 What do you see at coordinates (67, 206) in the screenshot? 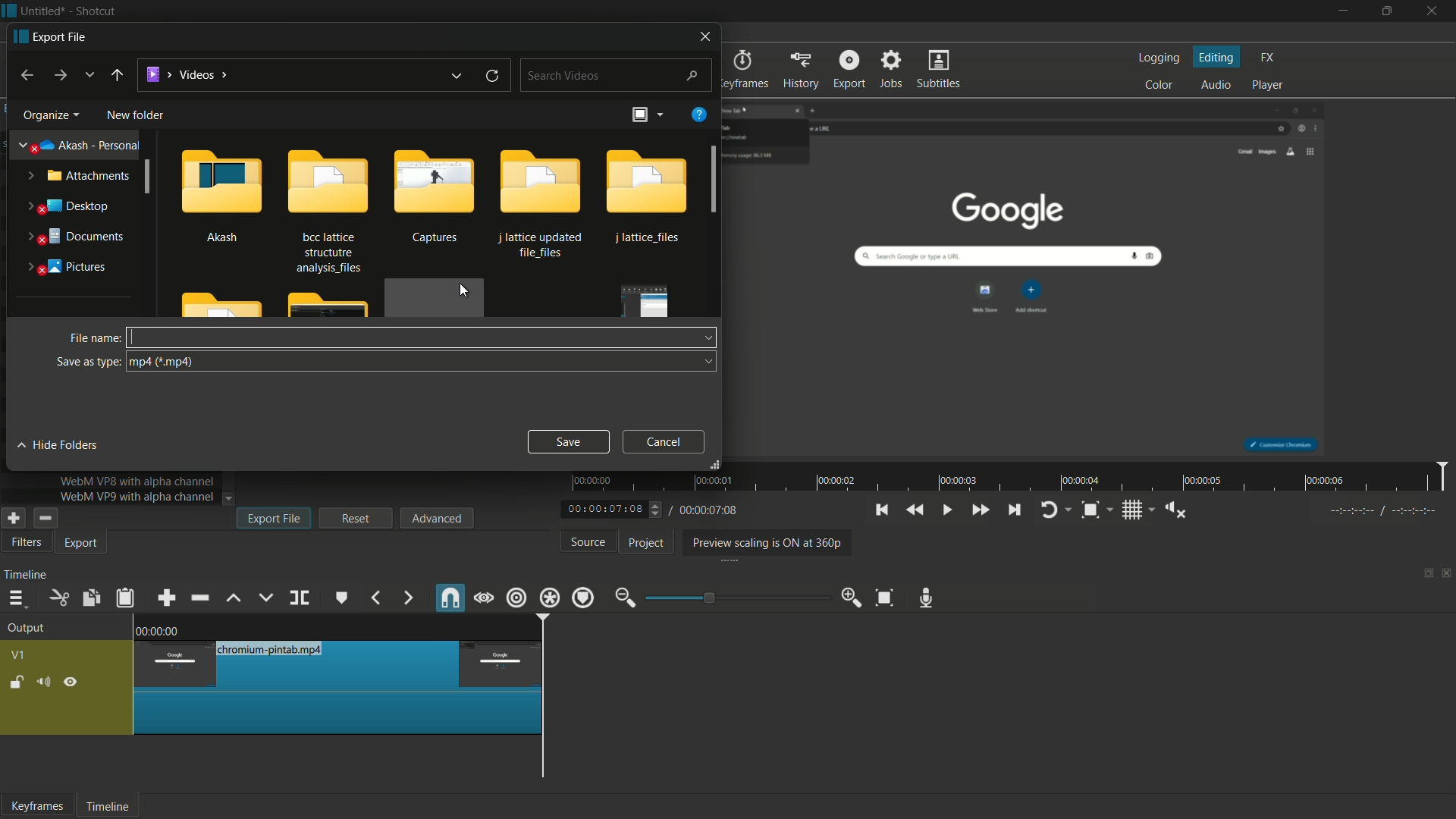
I see `desktop` at bounding box center [67, 206].